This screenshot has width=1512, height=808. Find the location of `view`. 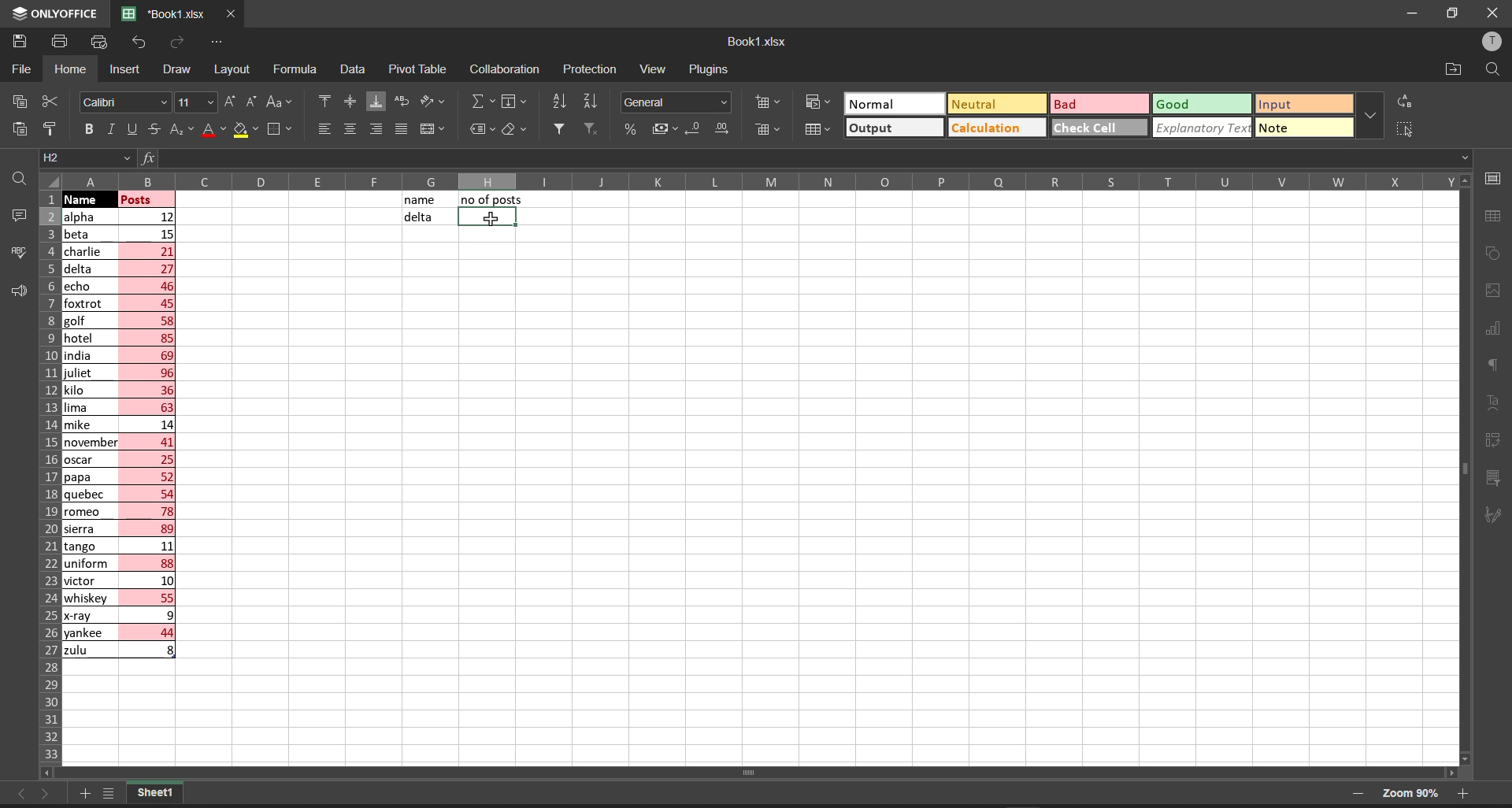

view is located at coordinates (653, 70).